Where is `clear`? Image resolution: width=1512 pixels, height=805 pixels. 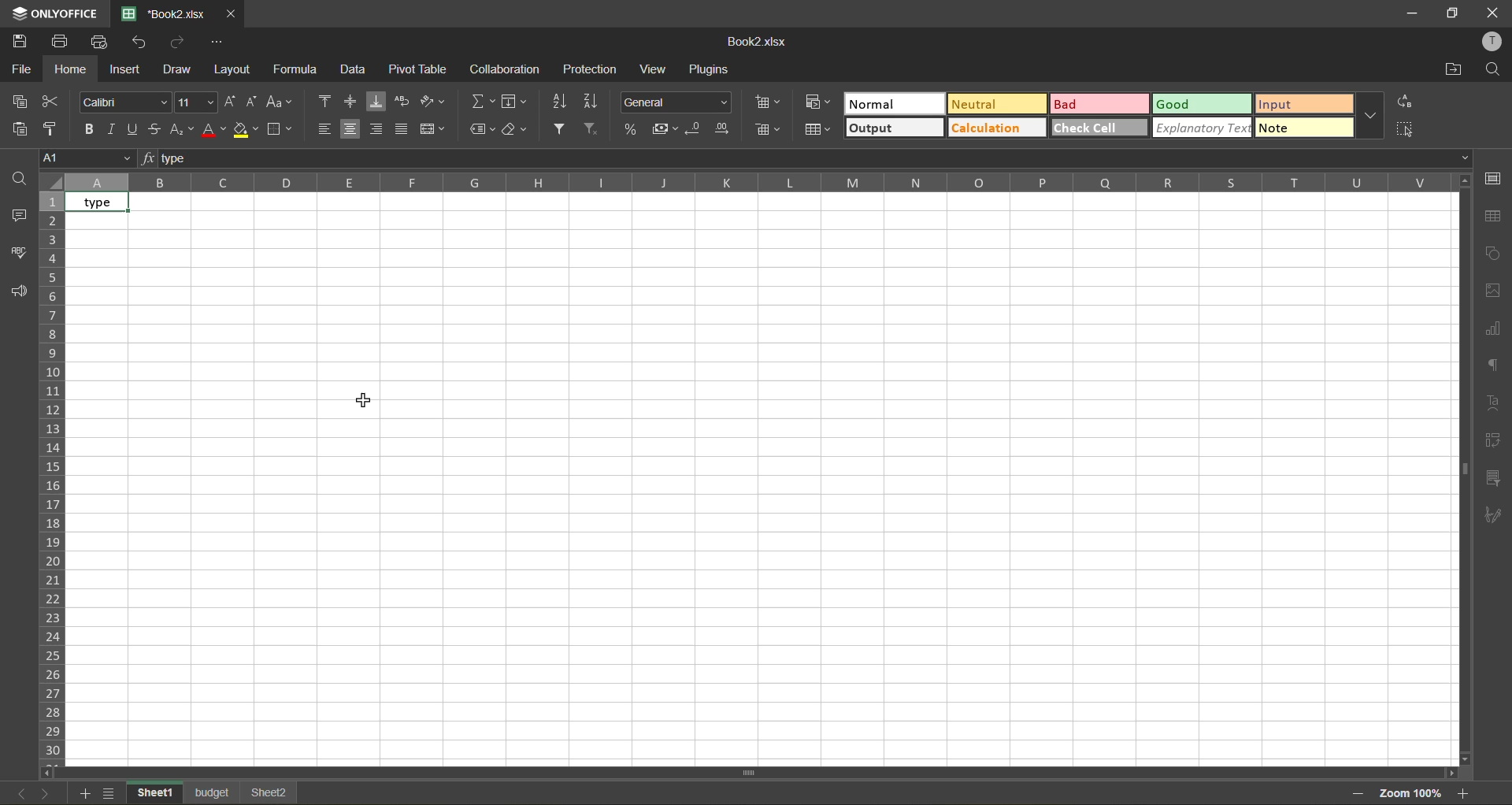
clear is located at coordinates (514, 132).